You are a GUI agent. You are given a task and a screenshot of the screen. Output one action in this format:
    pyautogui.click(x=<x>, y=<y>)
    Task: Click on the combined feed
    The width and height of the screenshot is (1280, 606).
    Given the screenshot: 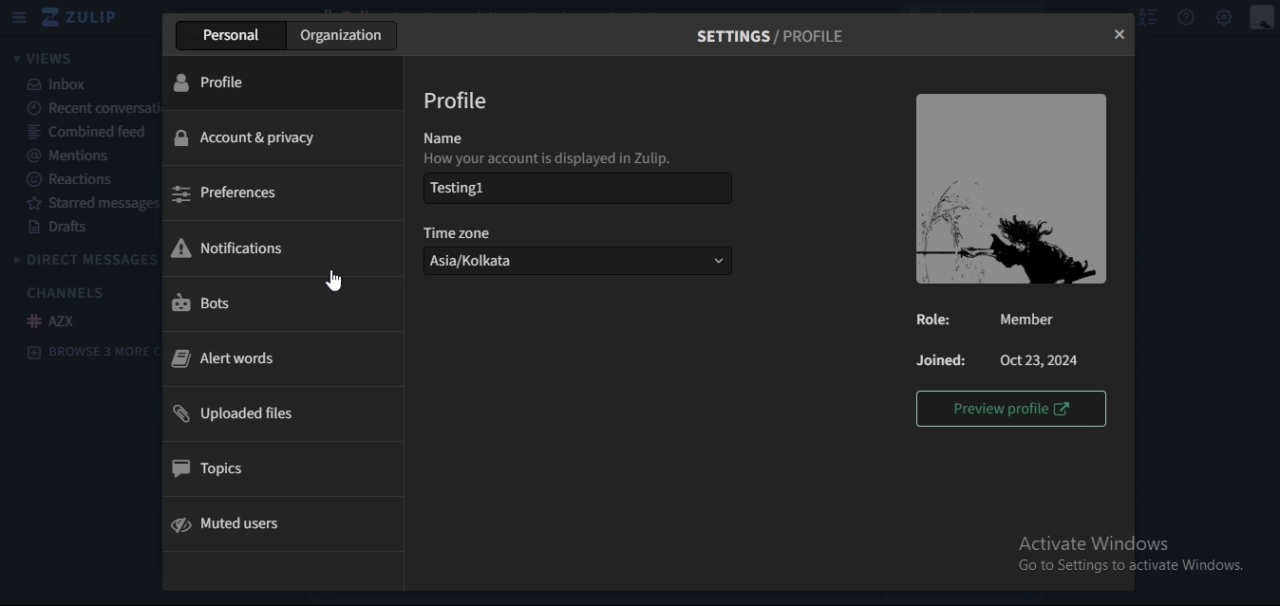 What is the action you would take?
    pyautogui.click(x=89, y=131)
    